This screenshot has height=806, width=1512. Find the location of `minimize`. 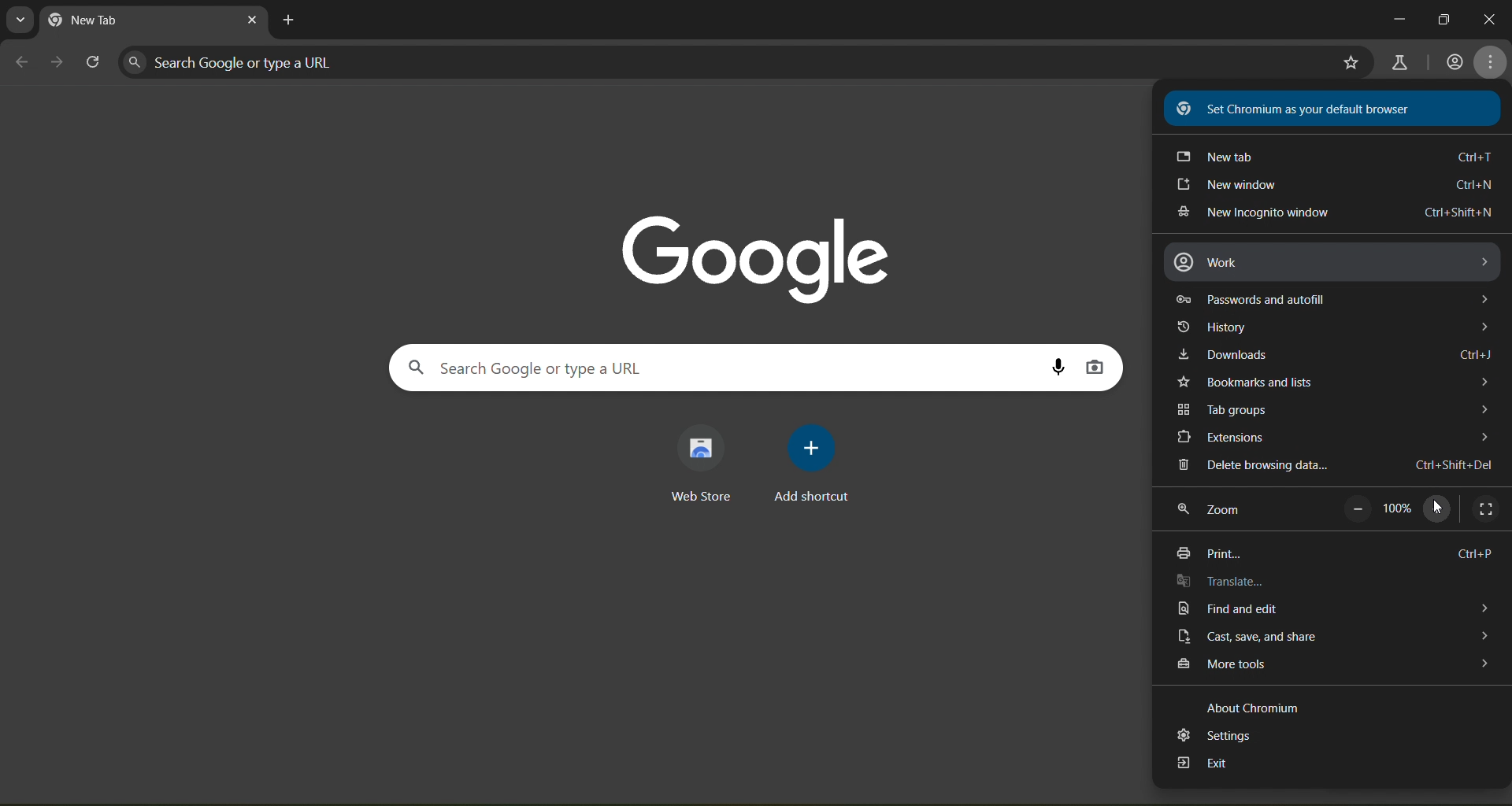

minimize is located at coordinates (1394, 20).